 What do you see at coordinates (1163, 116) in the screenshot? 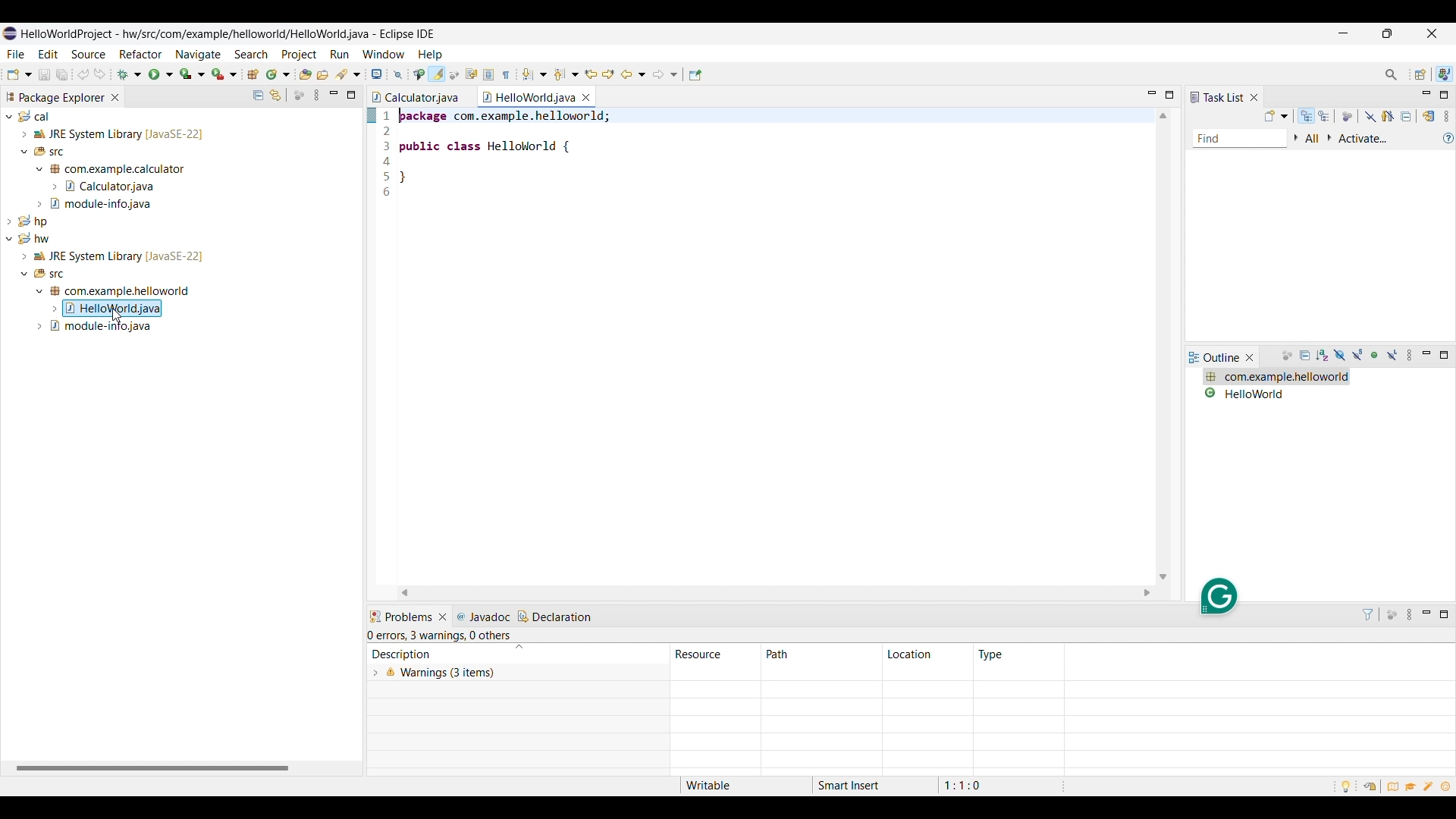
I see `Quick slide to top` at bounding box center [1163, 116].